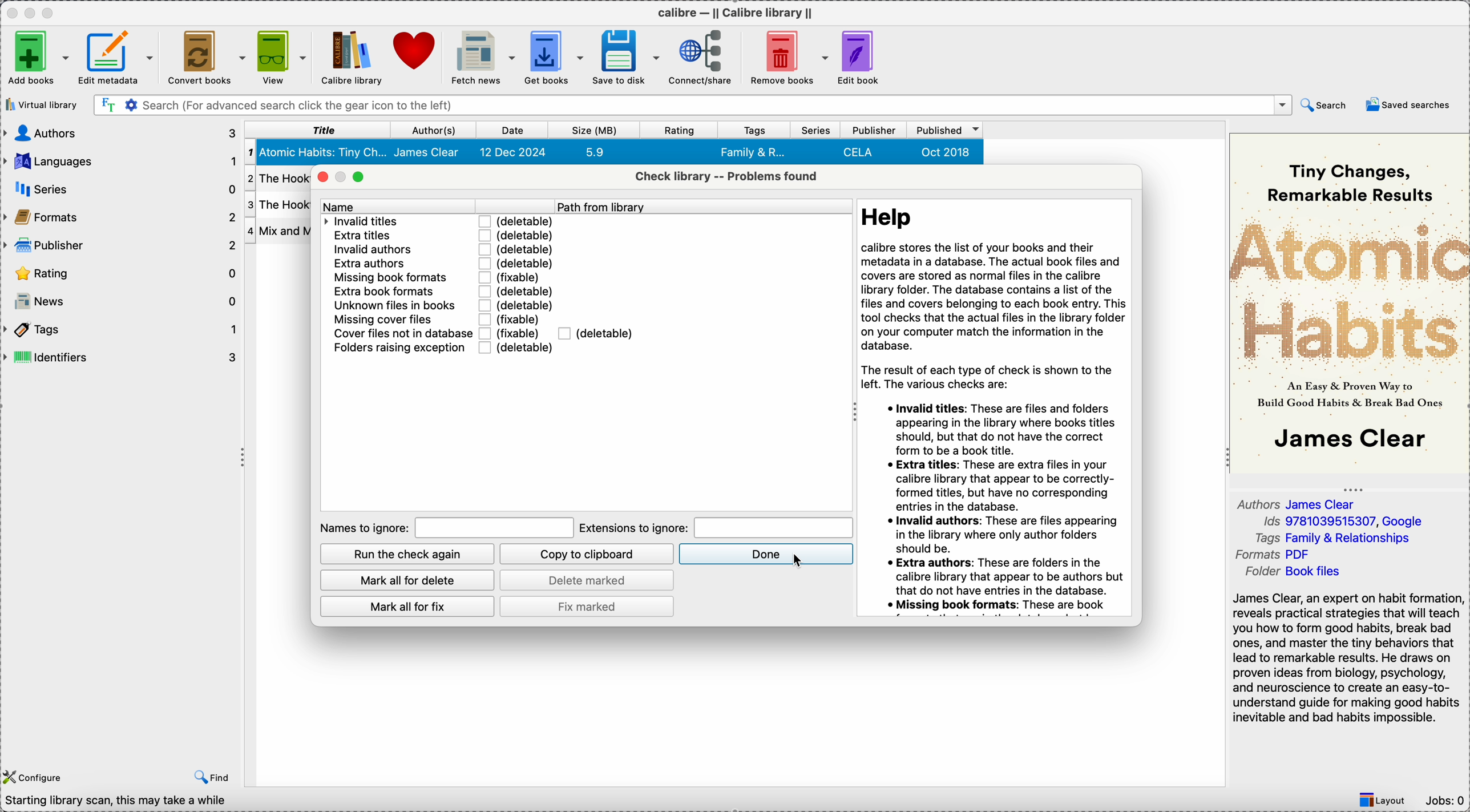 This screenshot has height=812, width=1470. I want to click on hide, so click(1354, 487).